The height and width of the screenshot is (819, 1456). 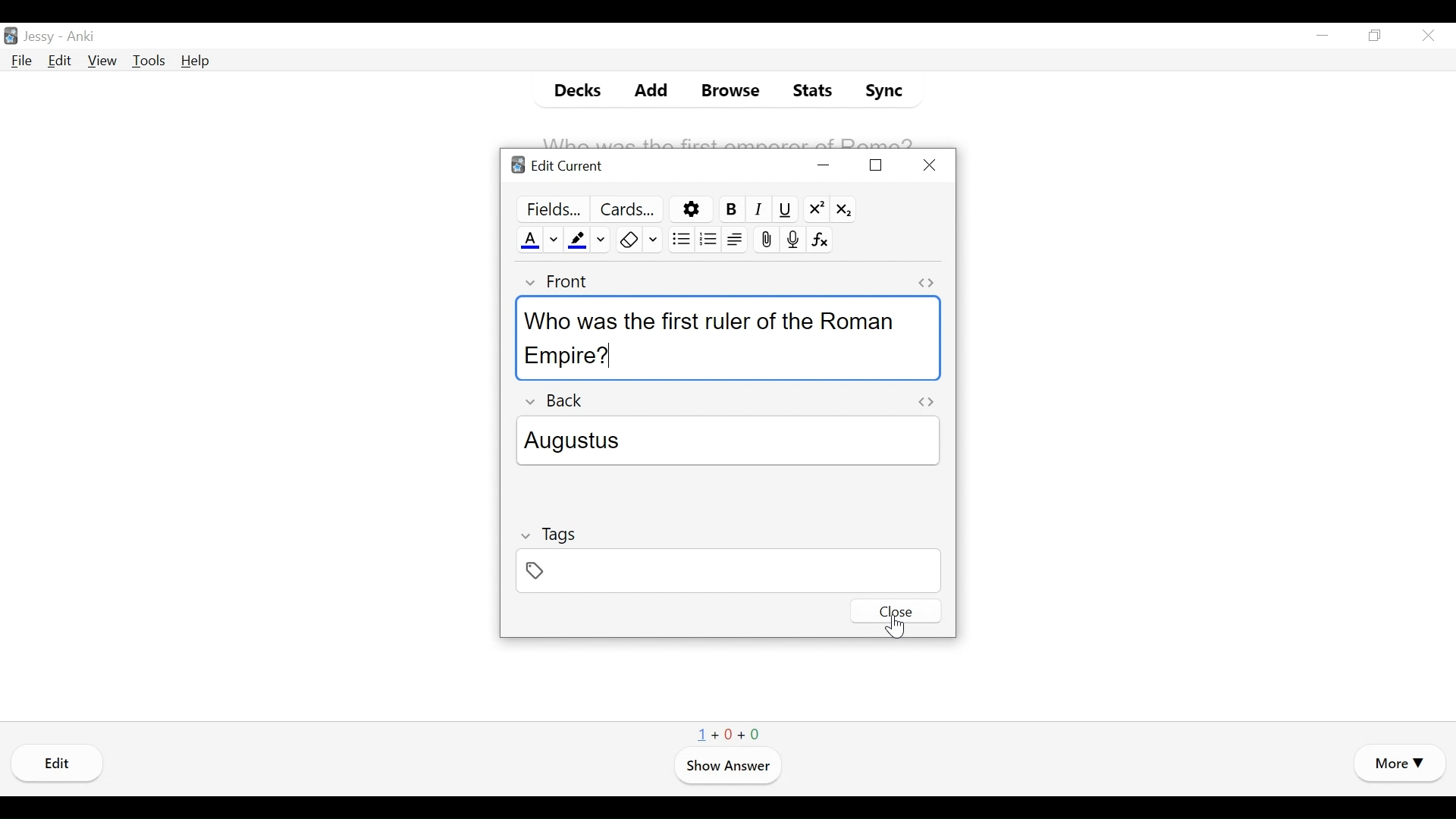 What do you see at coordinates (579, 239) in the screenshot?
I see `Text Highlight color ` at bounding box center [579, 239].